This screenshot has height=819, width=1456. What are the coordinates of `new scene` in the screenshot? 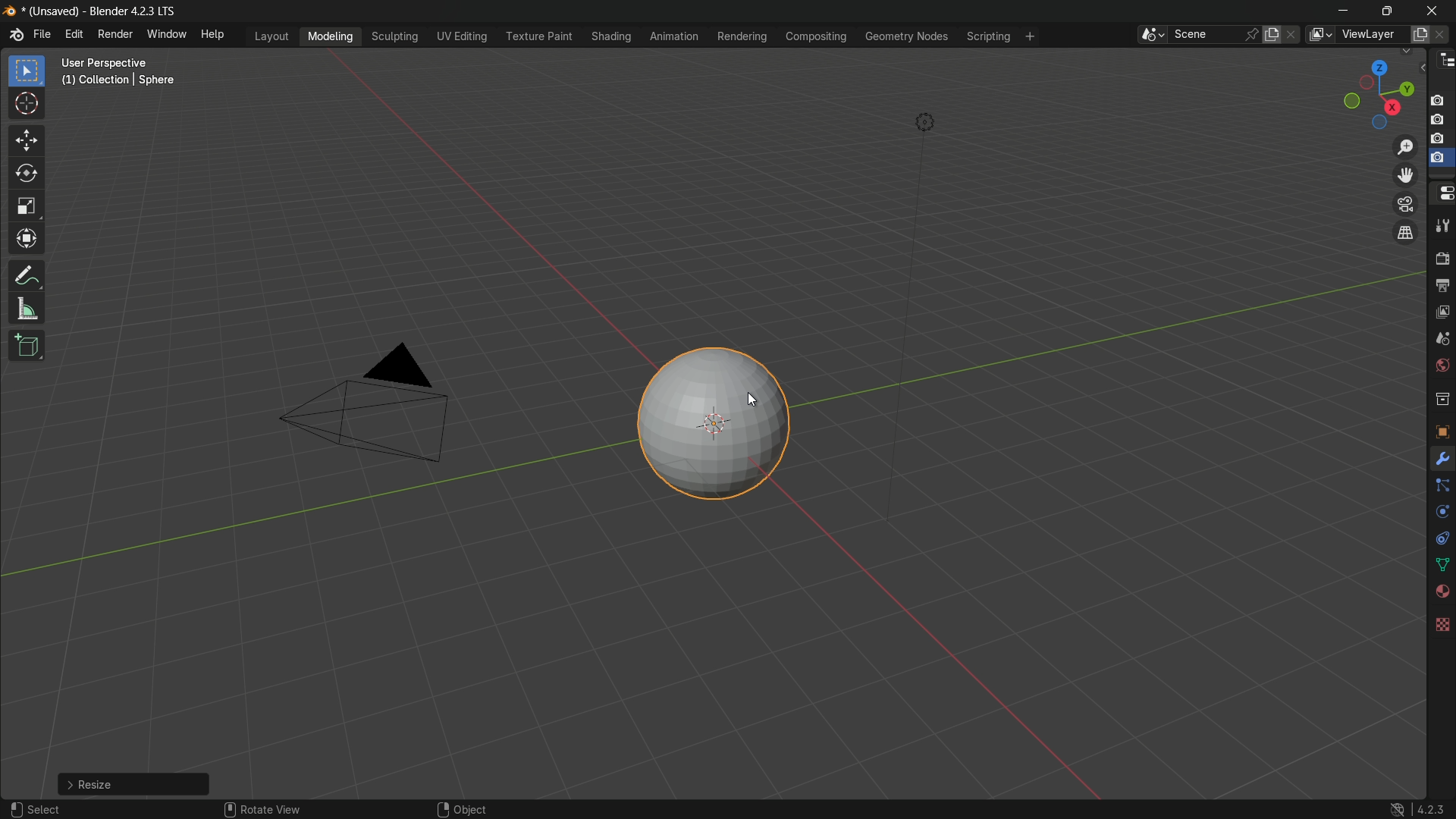 It's located at (1272, 34).